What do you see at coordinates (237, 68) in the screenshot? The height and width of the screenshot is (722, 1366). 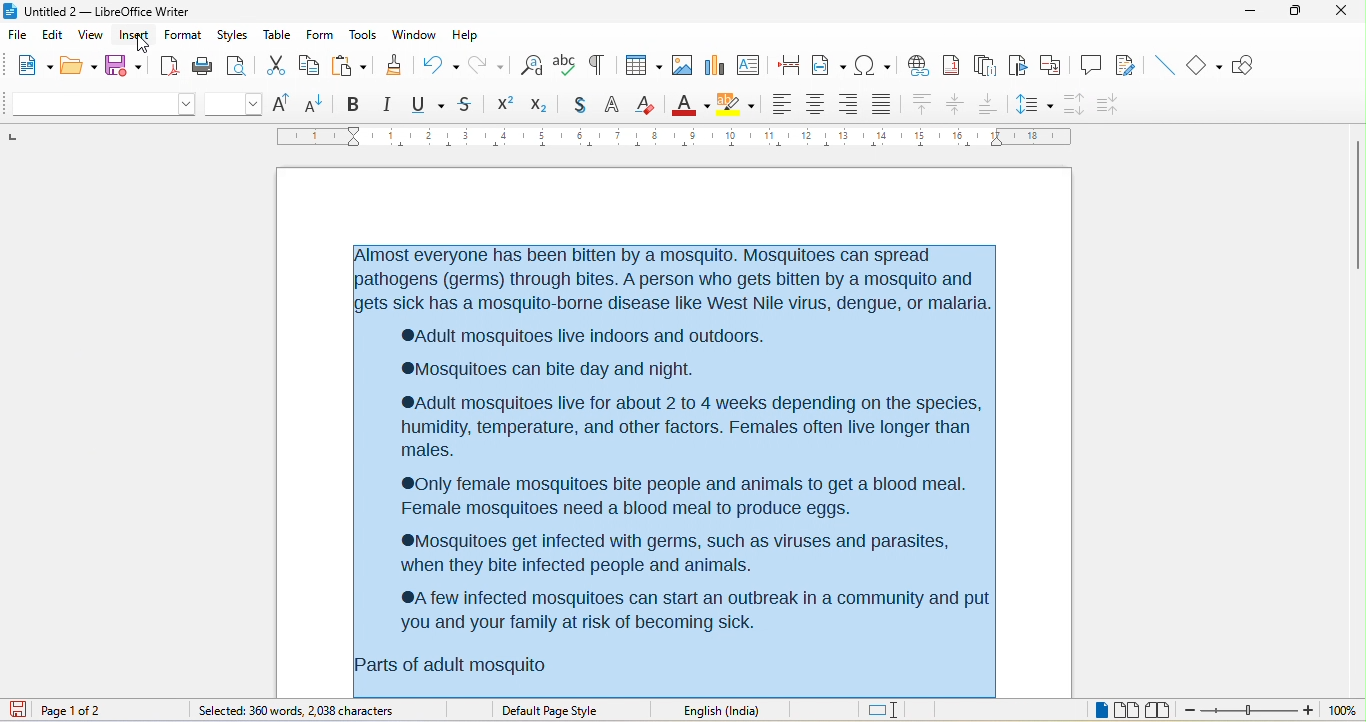 I see `print preview` at bounding box center [237, 68].